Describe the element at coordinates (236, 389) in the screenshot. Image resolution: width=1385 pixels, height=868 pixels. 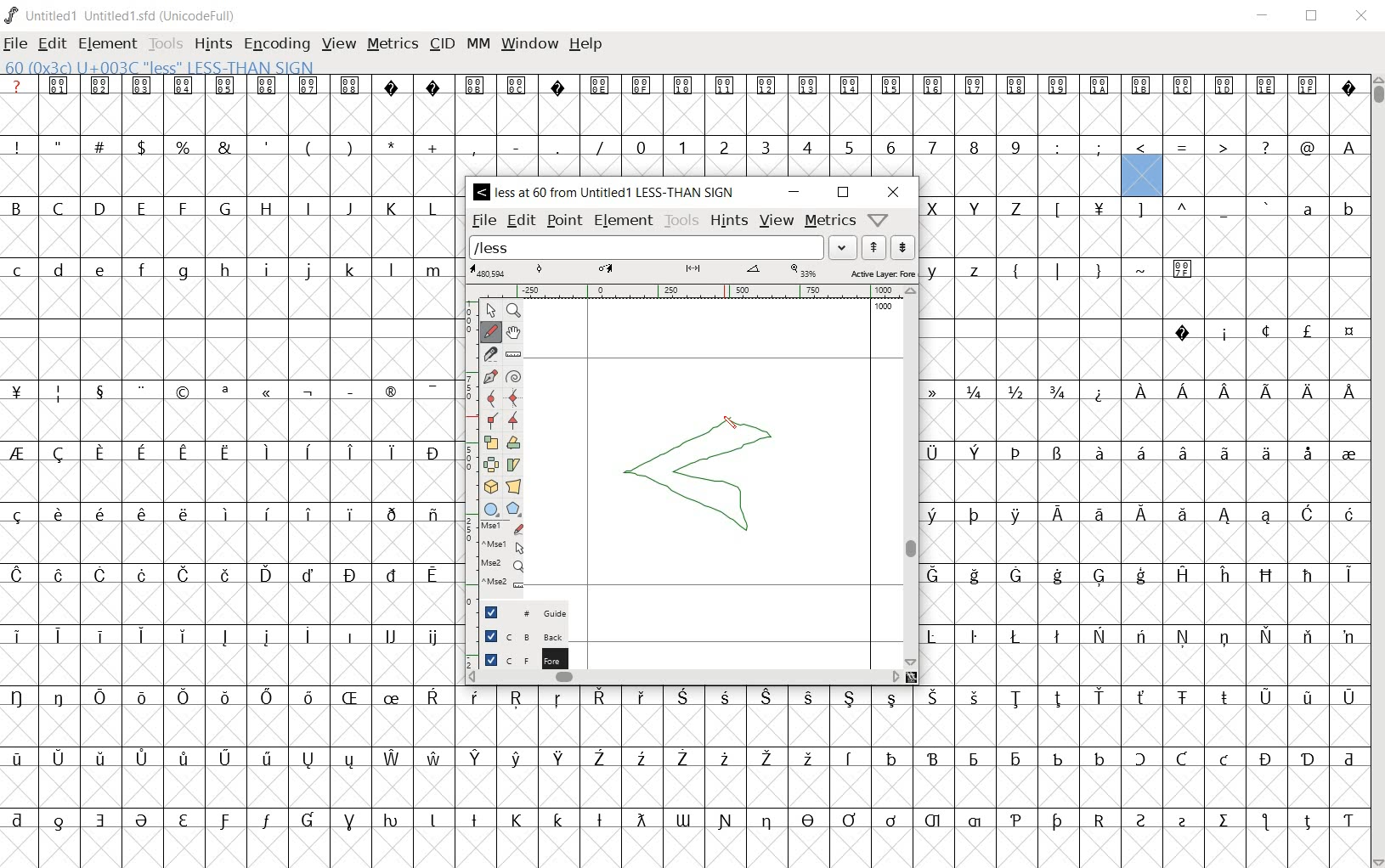
I see `symbols` at that location.